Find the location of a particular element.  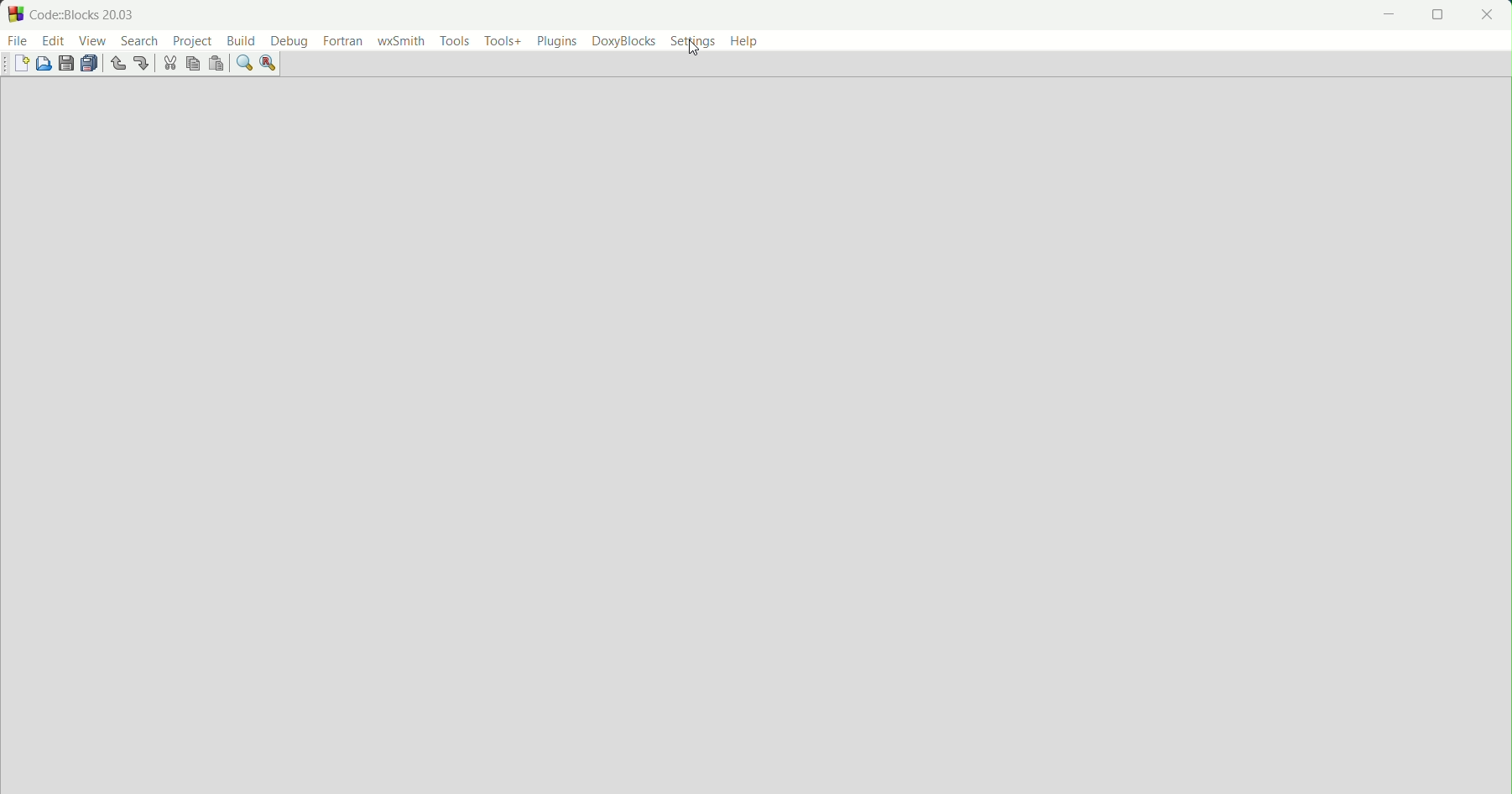

build is located at coordinates (242, 40).